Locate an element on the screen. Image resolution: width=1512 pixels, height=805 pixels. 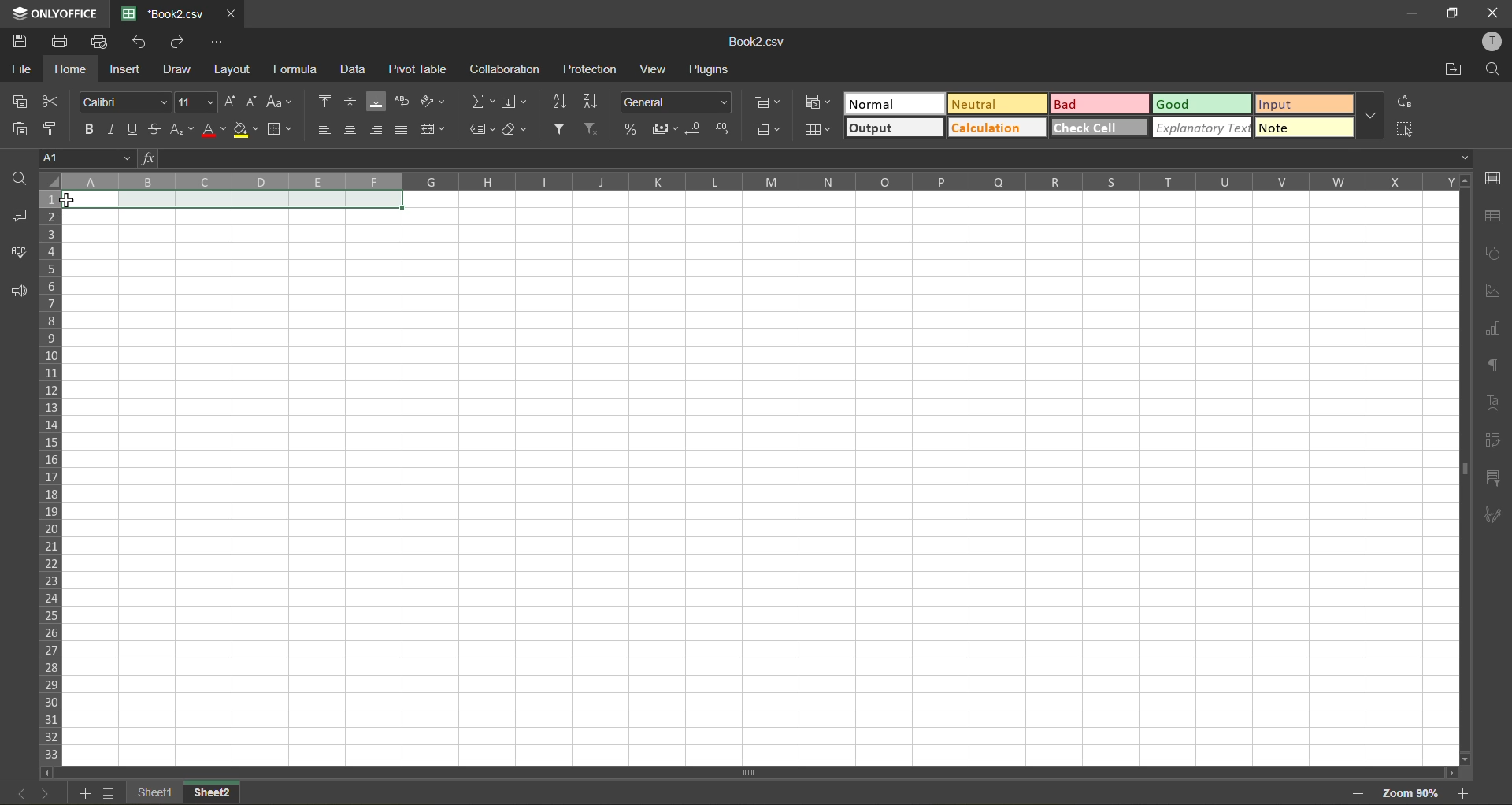
format as table is located at coordinates (822, 133).